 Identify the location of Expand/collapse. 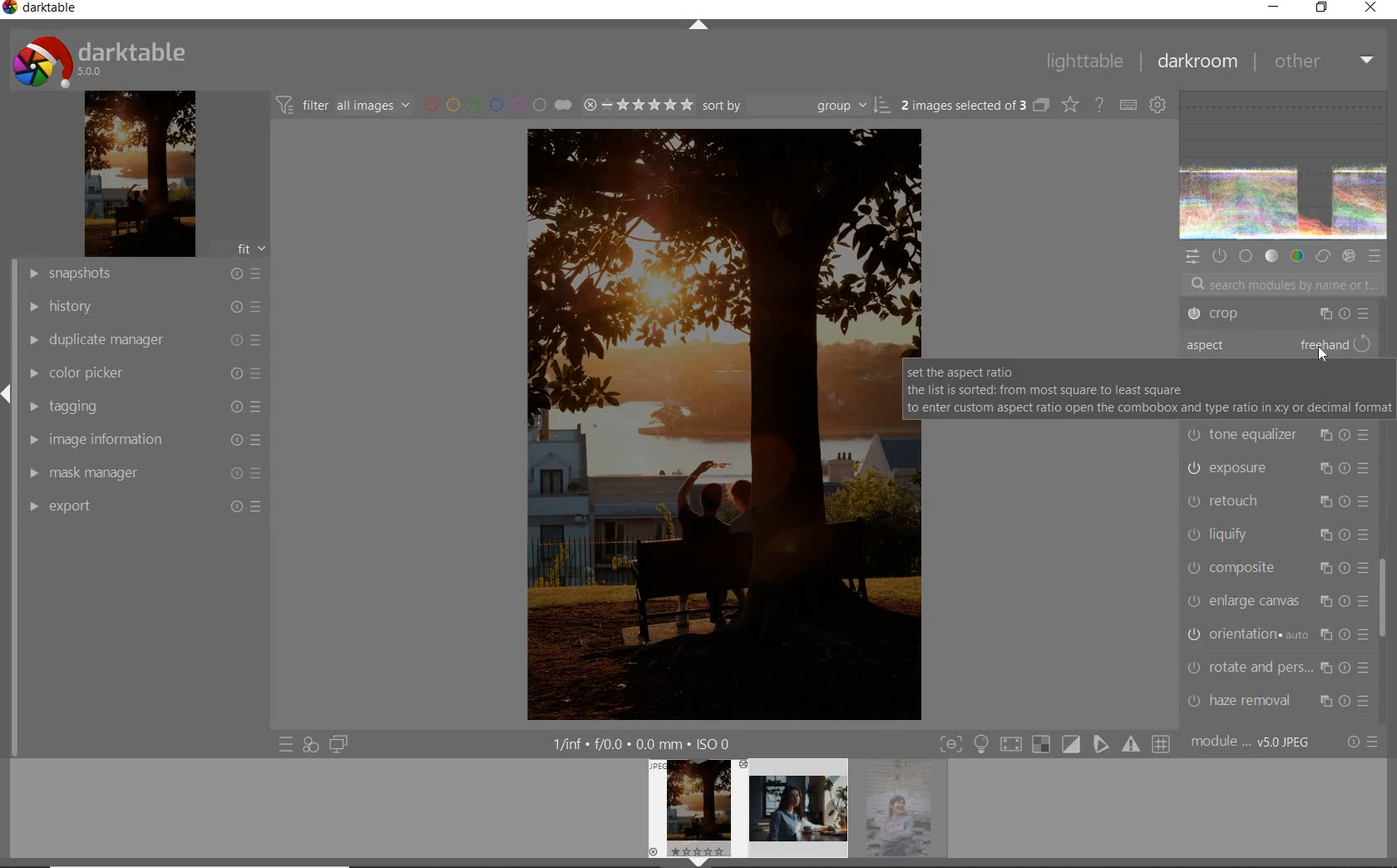
(703, 862).